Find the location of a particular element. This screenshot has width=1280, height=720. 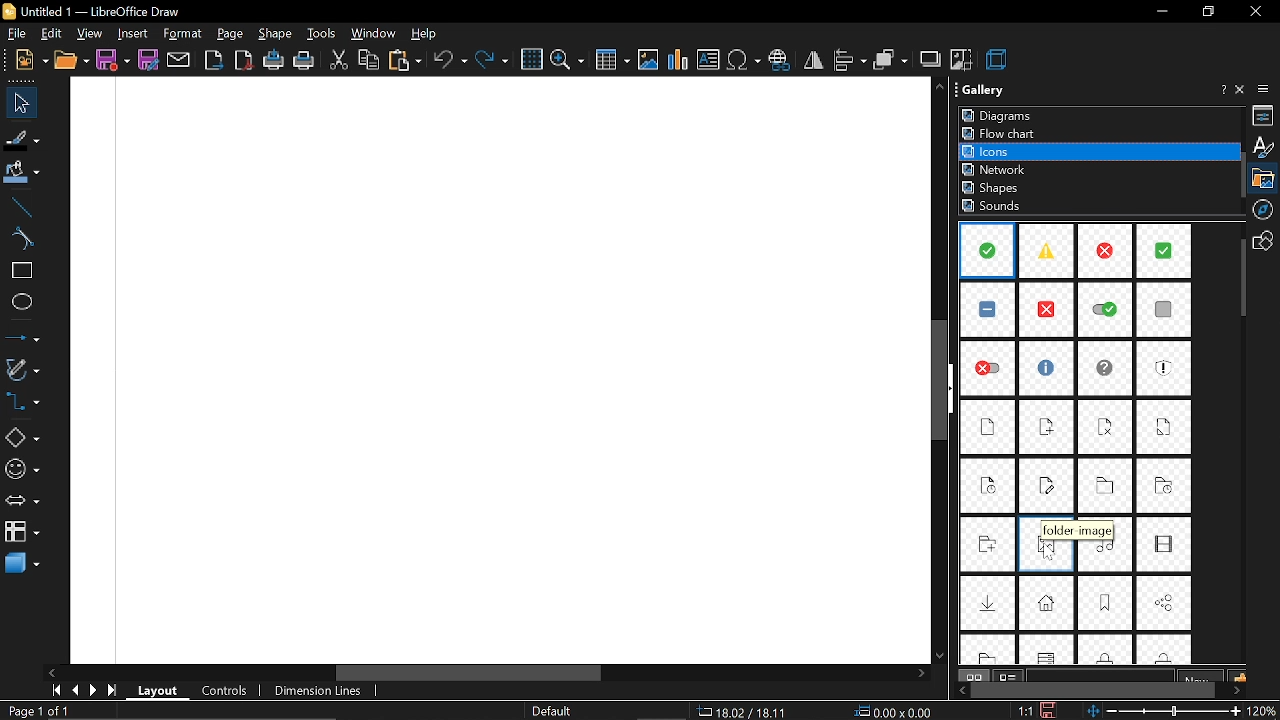

align is located at coordinates (849, 60).